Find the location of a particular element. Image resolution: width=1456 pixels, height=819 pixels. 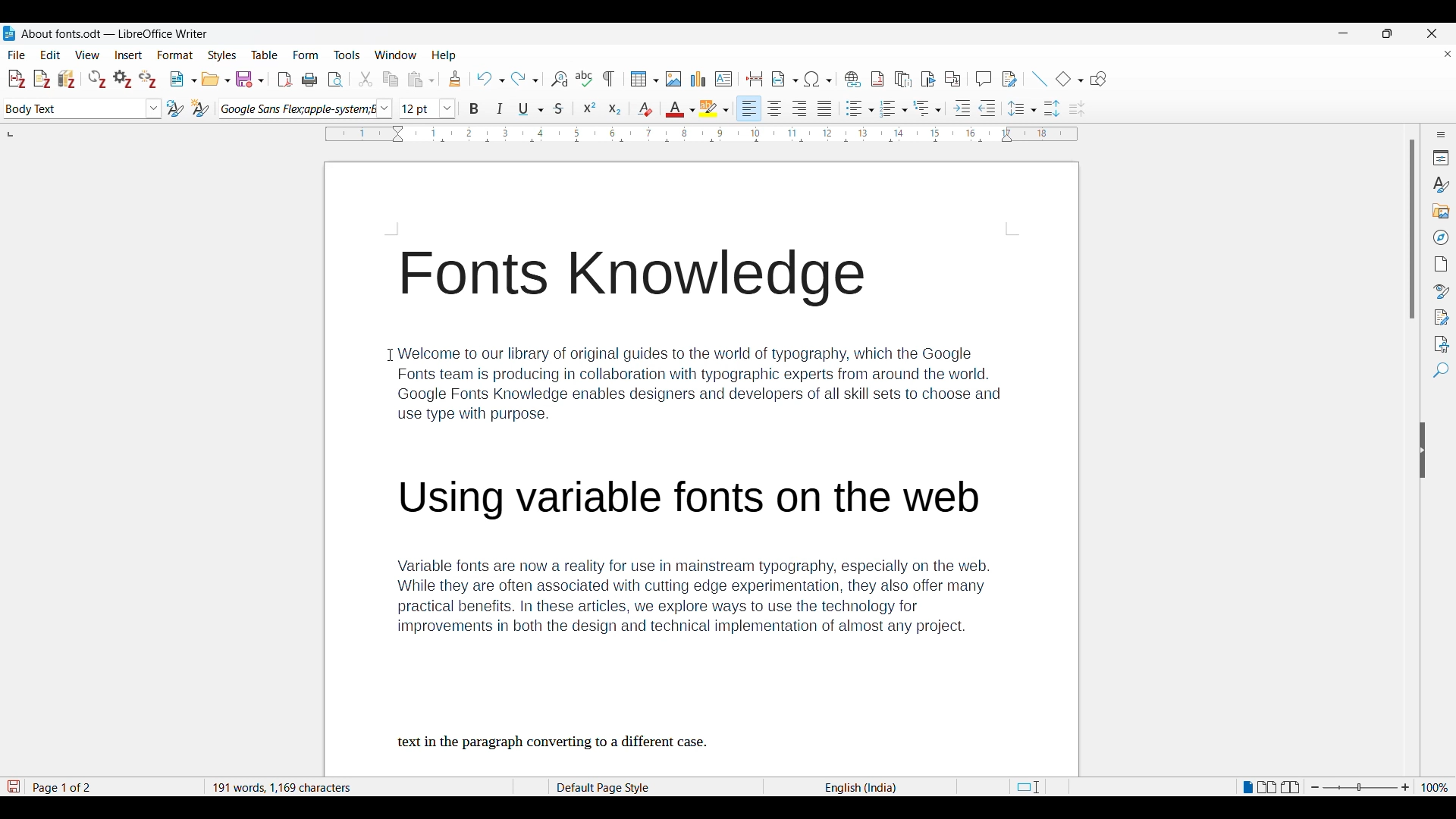

Undo is located at coordinates (490, 79).